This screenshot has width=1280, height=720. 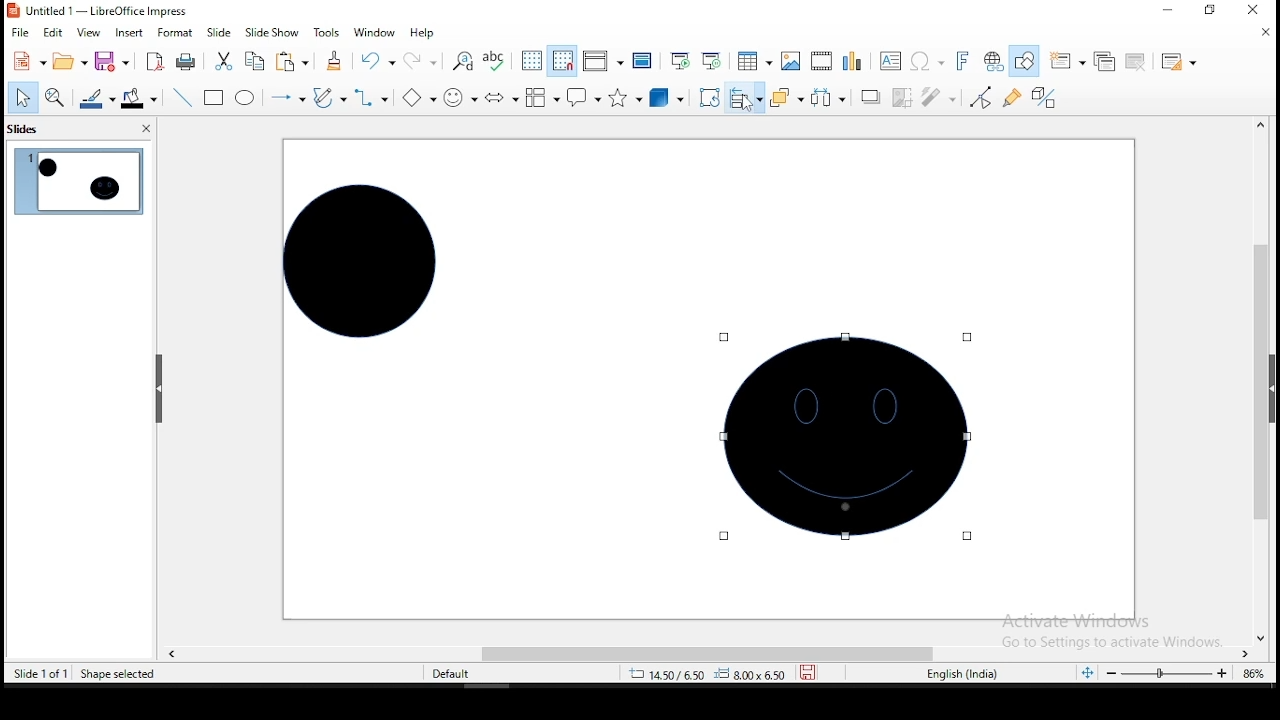 What do you see at coordinates (716, 63) in the screenshot?
I see `start from current slide` at bounding box center [716, 63].